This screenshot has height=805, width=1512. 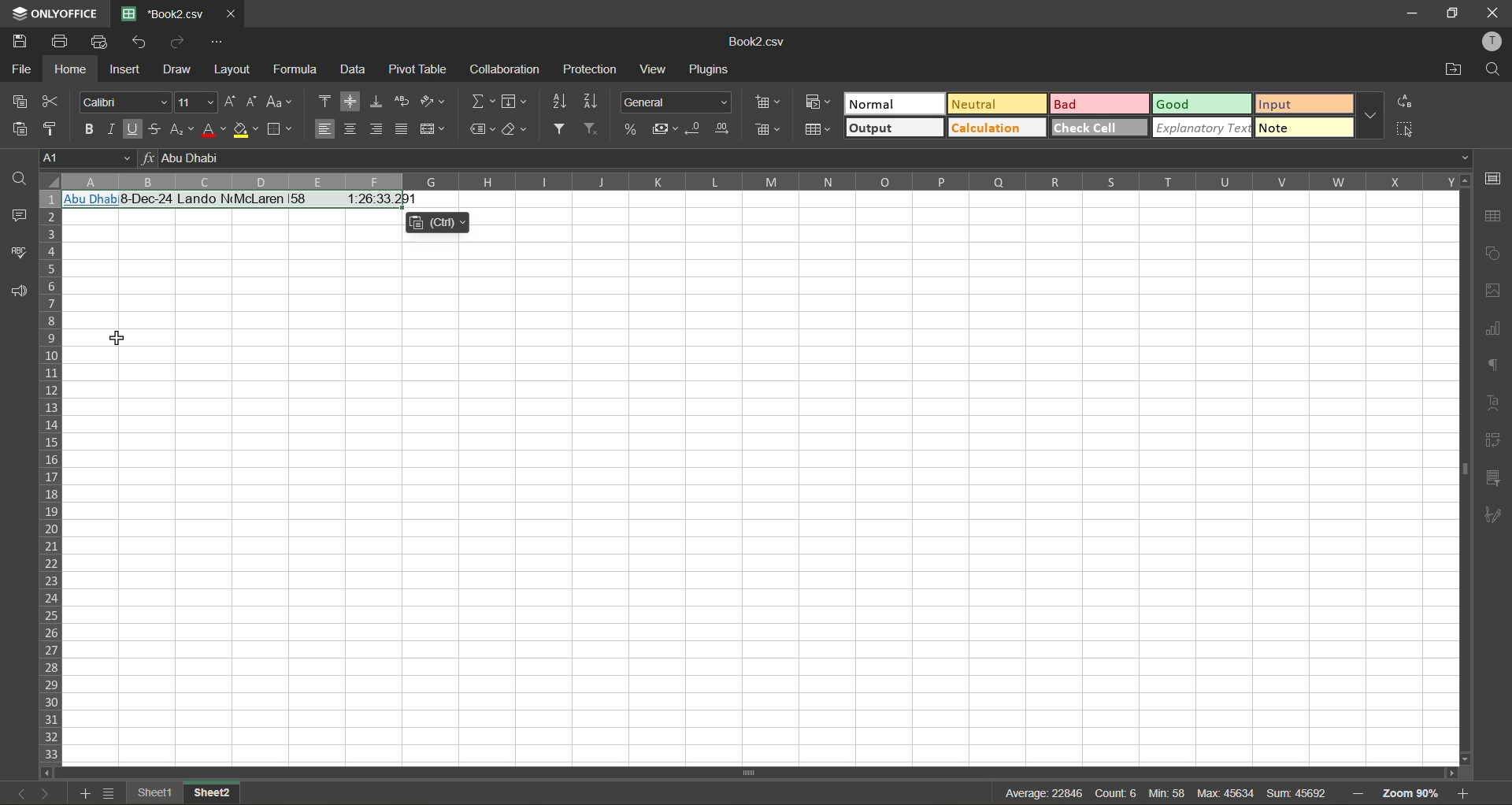 I want to click on decrement size, so click(x=250, y=102).